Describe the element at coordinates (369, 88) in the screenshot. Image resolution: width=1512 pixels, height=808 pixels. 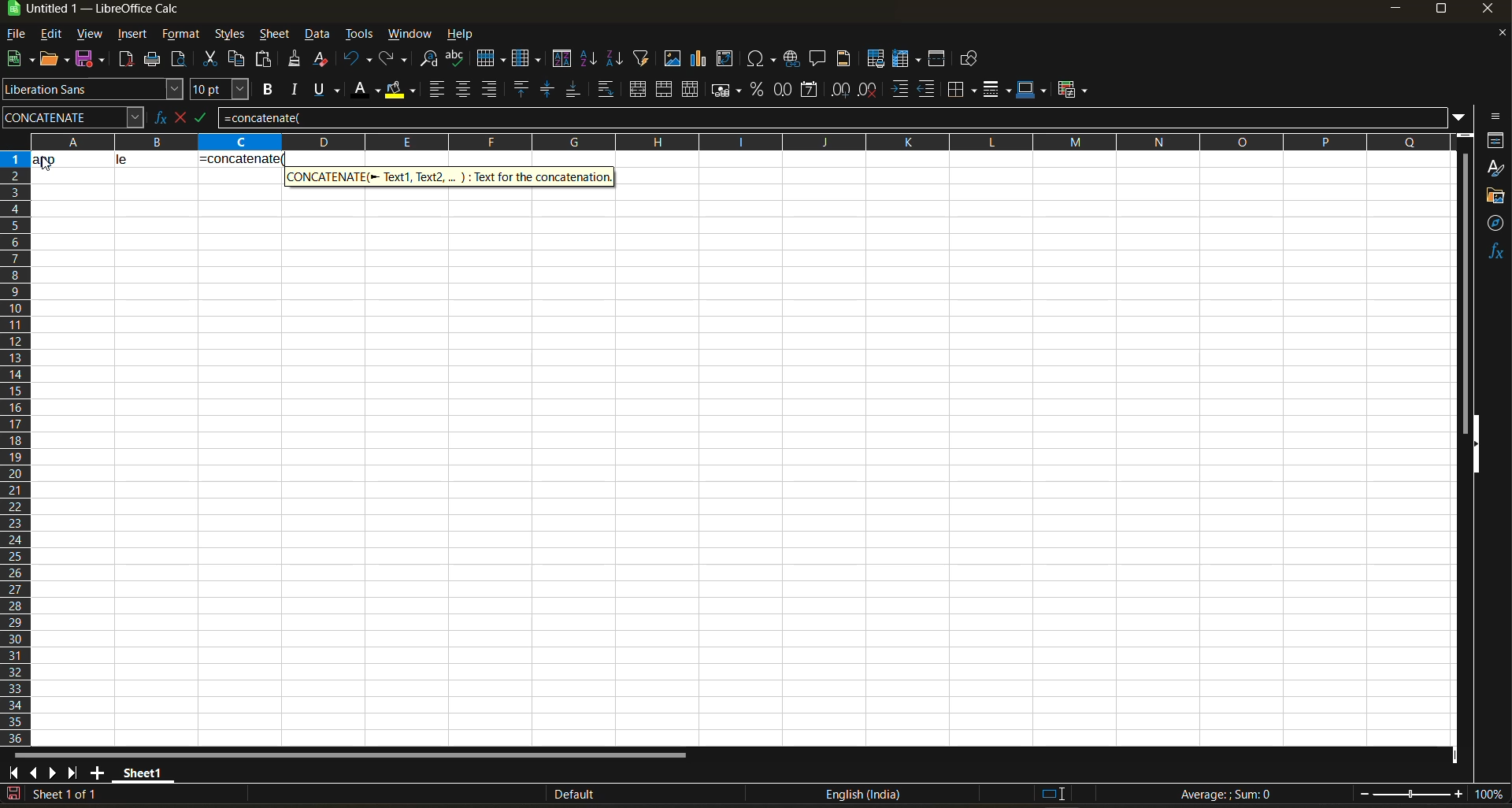
I see `font color` at that location.